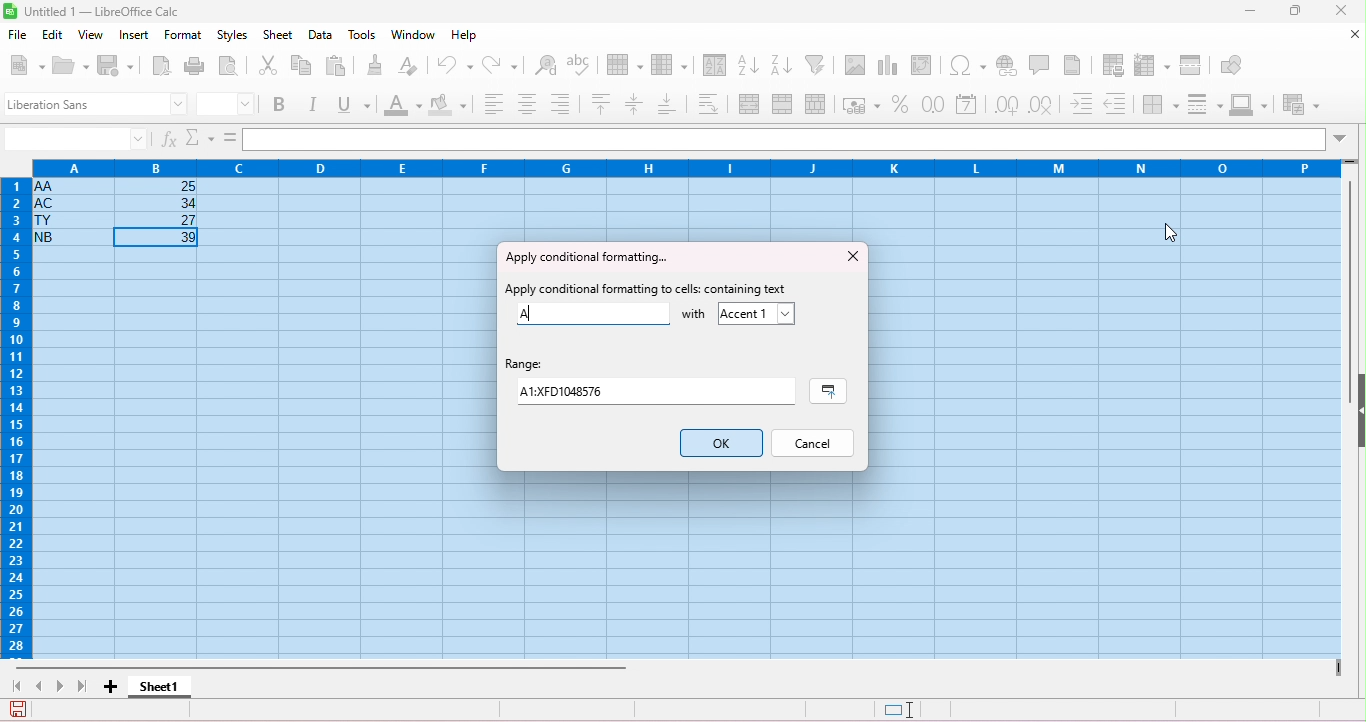 The height and width of the screenshot is (722, 1366). What do you see at coordinates (899, 711) in the screenshot?
I see `standard selection` at bounding box center [899, 711].